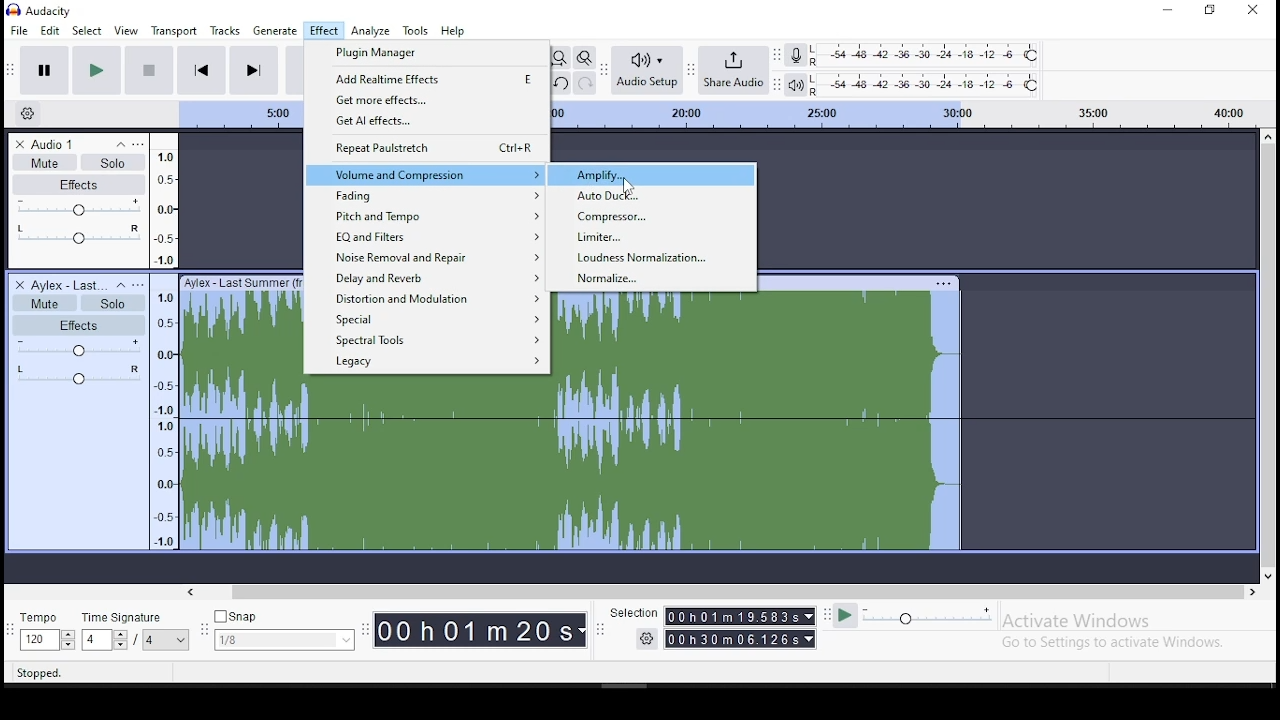  I want to click on pitch and tempo, so click(425, 217).